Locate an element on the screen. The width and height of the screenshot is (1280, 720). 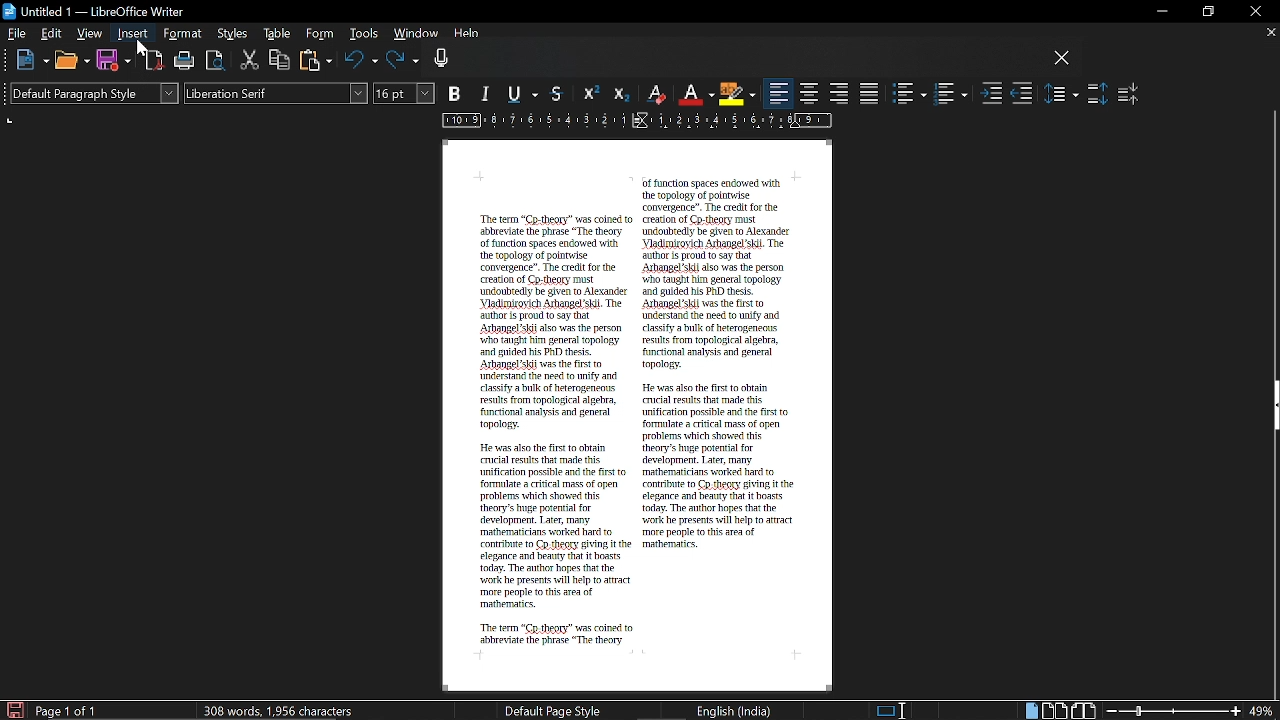
Close is located at coordinates (1254, 12).